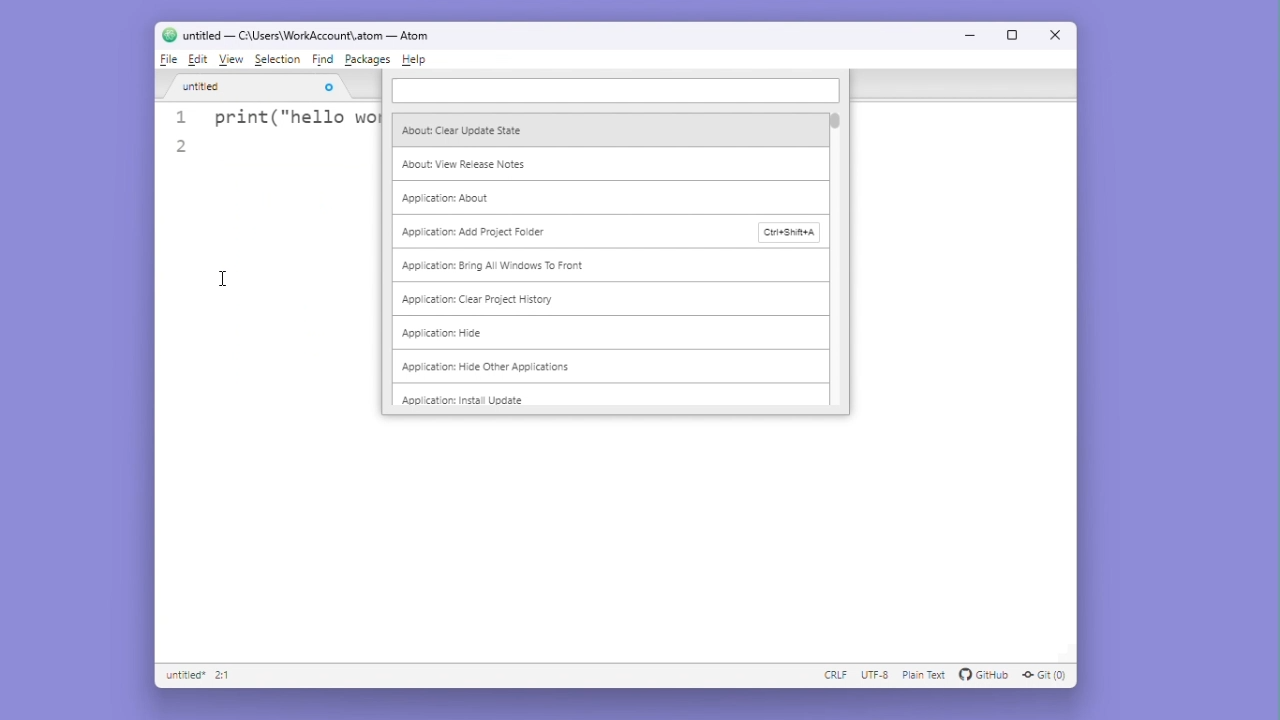 Image resolution: width=1280 pixels, height=720 pixels. What do you see at coordinates (255, 87) in the screenshot?
I see `toggle full screen` at bounding box center [255, 87].